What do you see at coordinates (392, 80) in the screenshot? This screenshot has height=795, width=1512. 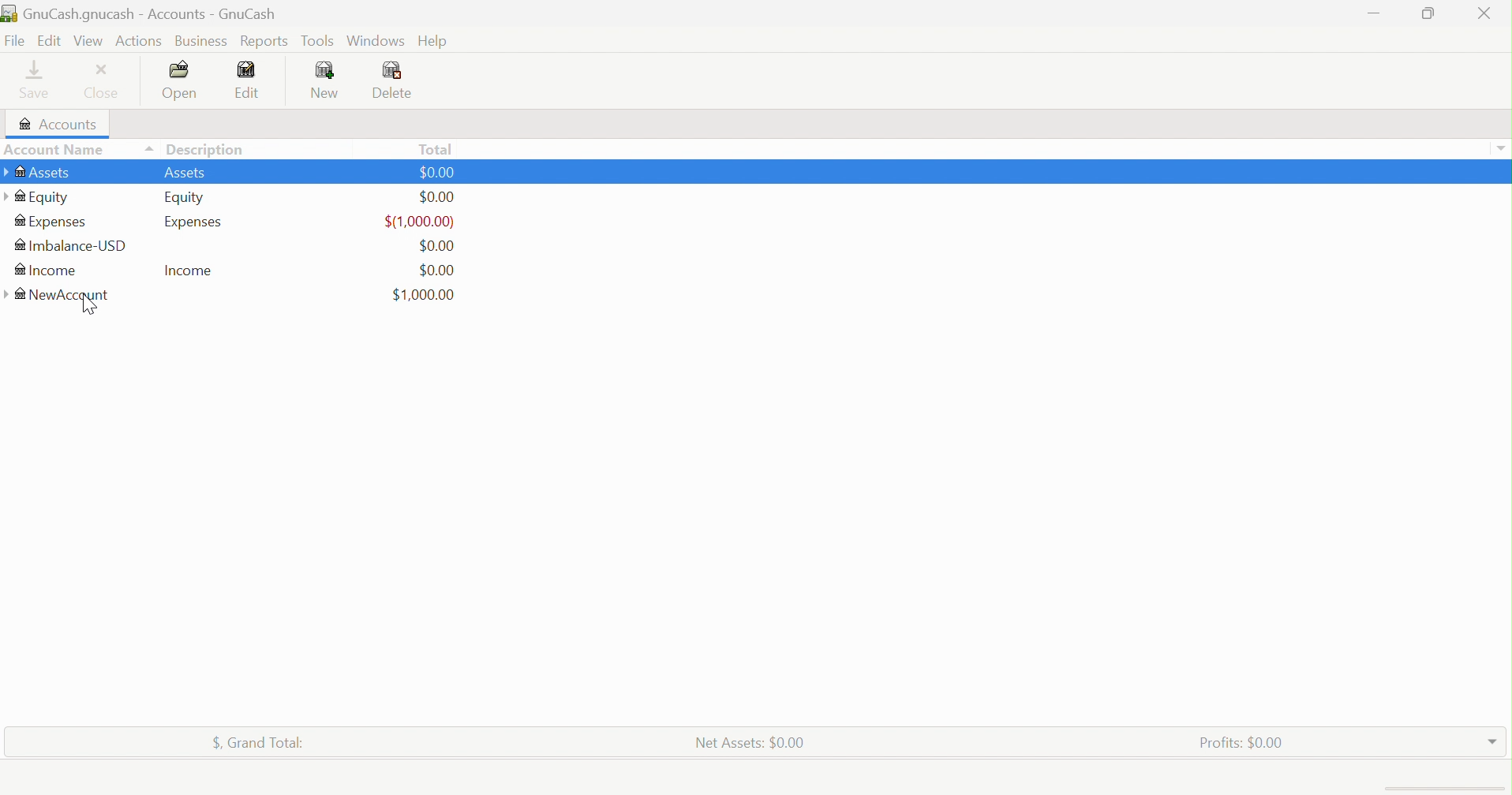 I see `Delete` at bounding box center [392, 80].